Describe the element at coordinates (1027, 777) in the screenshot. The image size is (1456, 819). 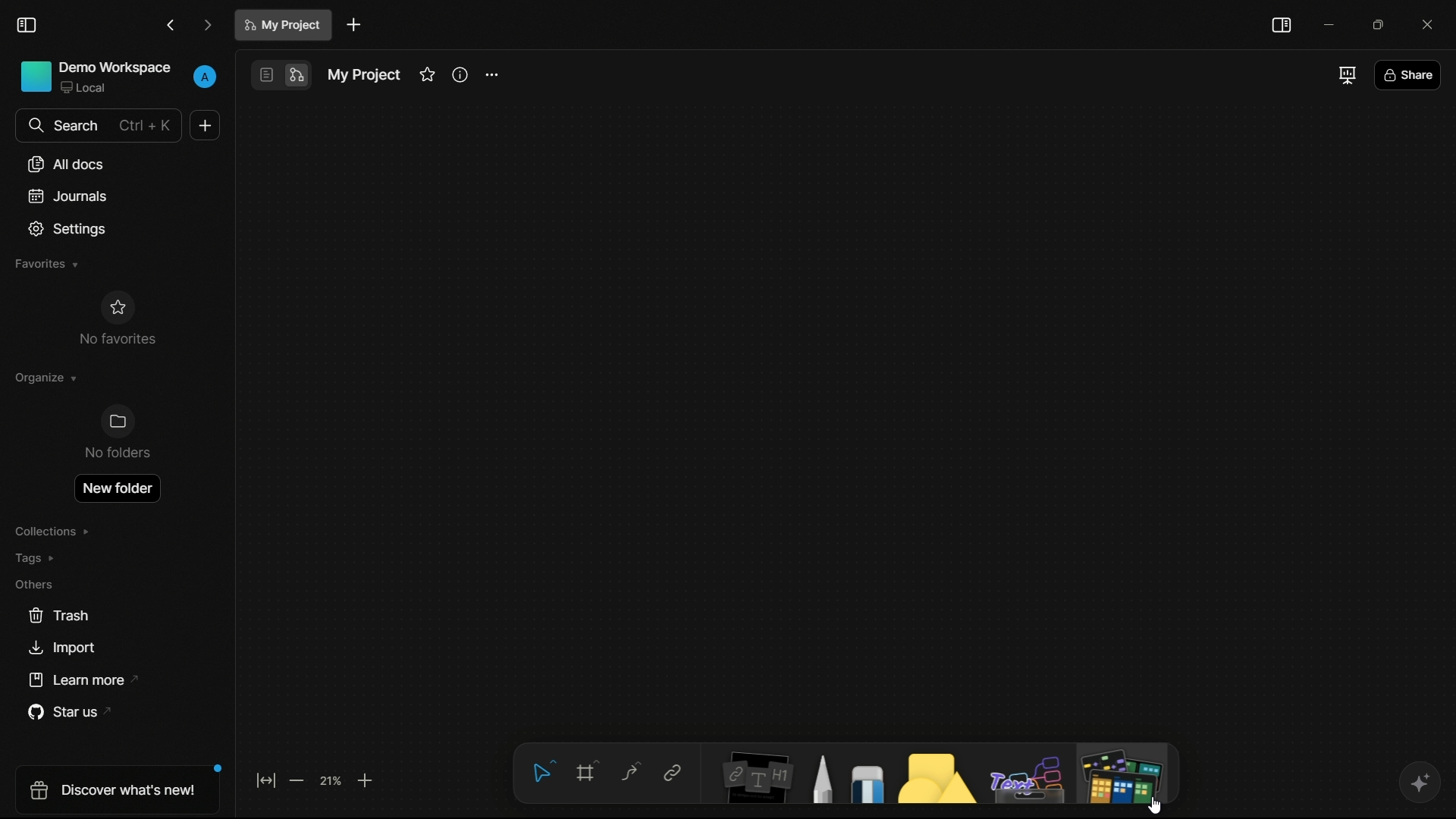
I see `others` at that location.